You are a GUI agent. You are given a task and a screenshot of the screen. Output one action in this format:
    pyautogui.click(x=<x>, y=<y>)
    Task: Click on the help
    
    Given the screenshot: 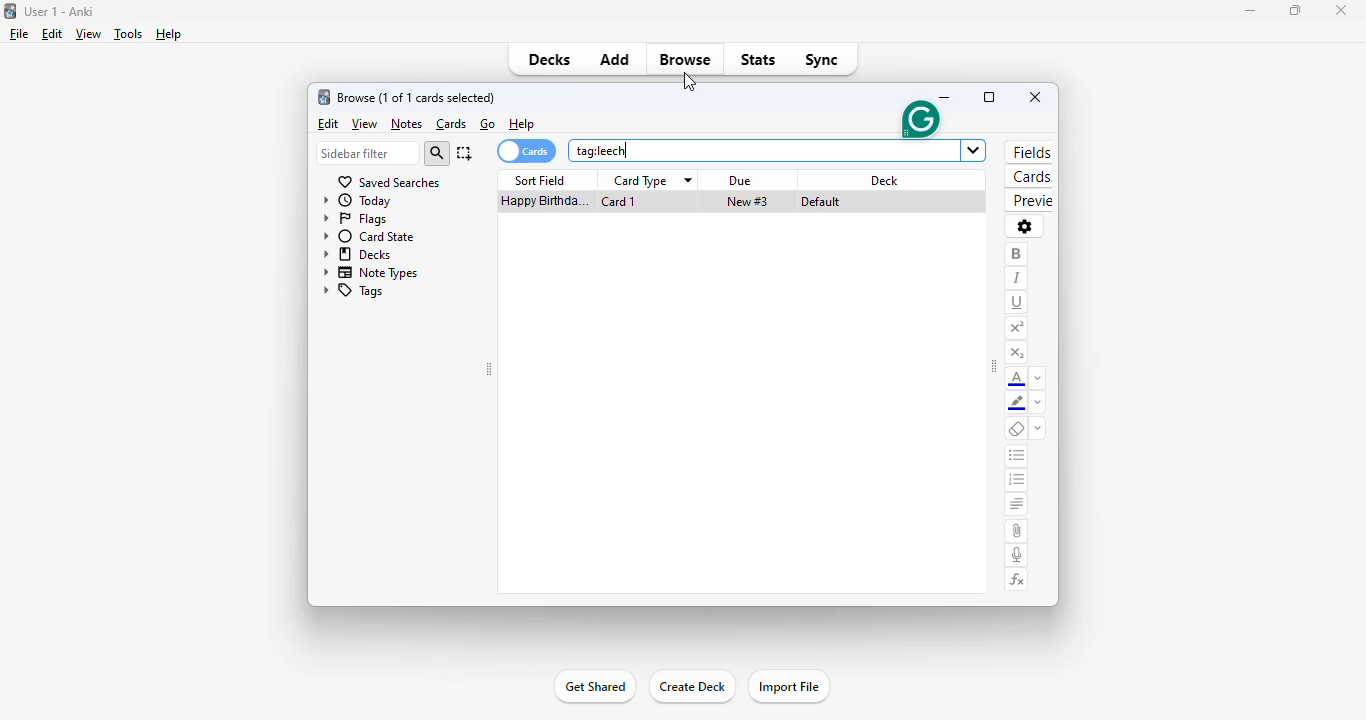 What is the action you would take?
    pyautogui.click(x=522, y=124)
    